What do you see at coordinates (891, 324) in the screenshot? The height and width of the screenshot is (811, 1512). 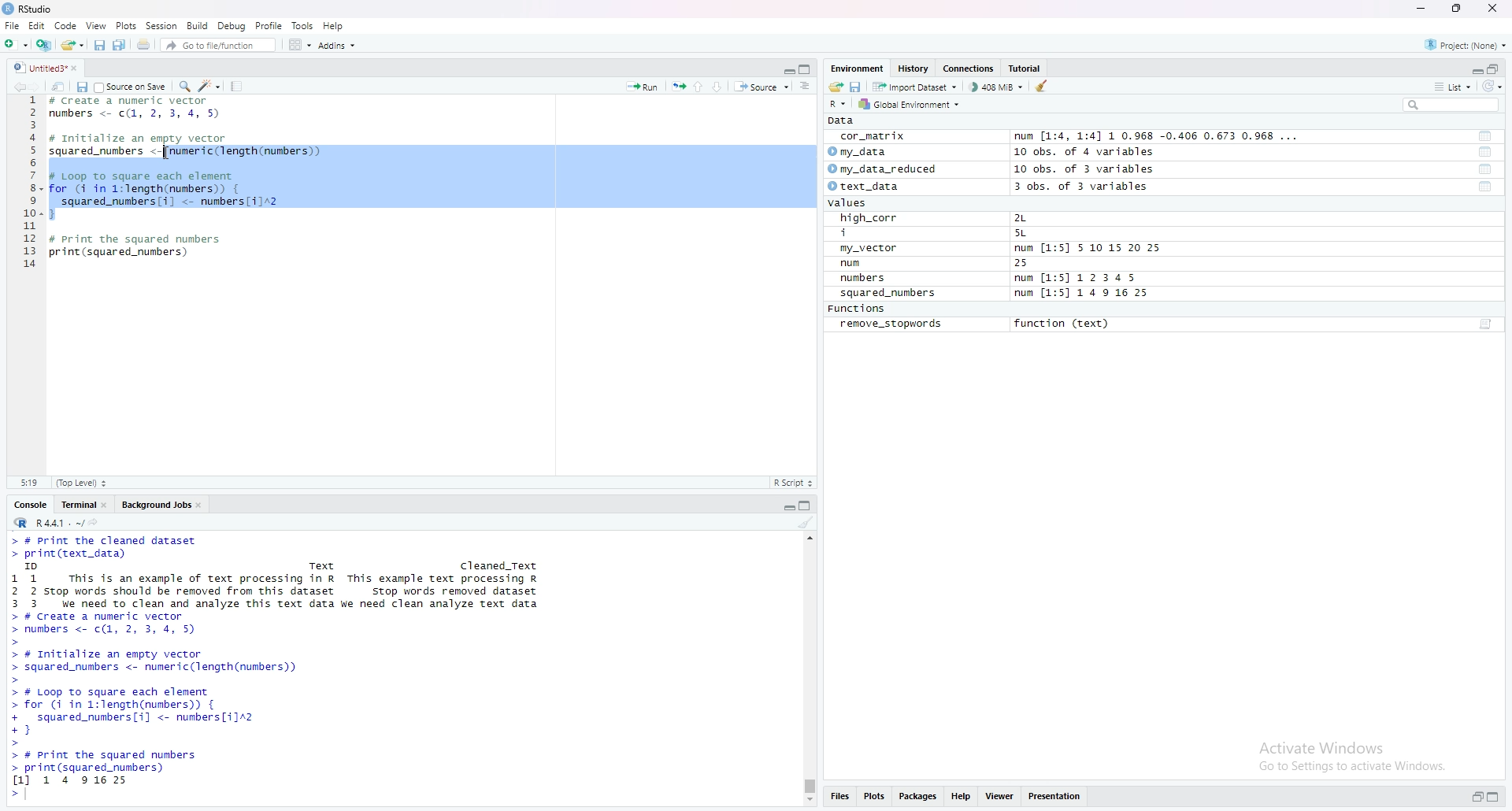 I see `remove_stopwords` at bounding box center [891, 324].